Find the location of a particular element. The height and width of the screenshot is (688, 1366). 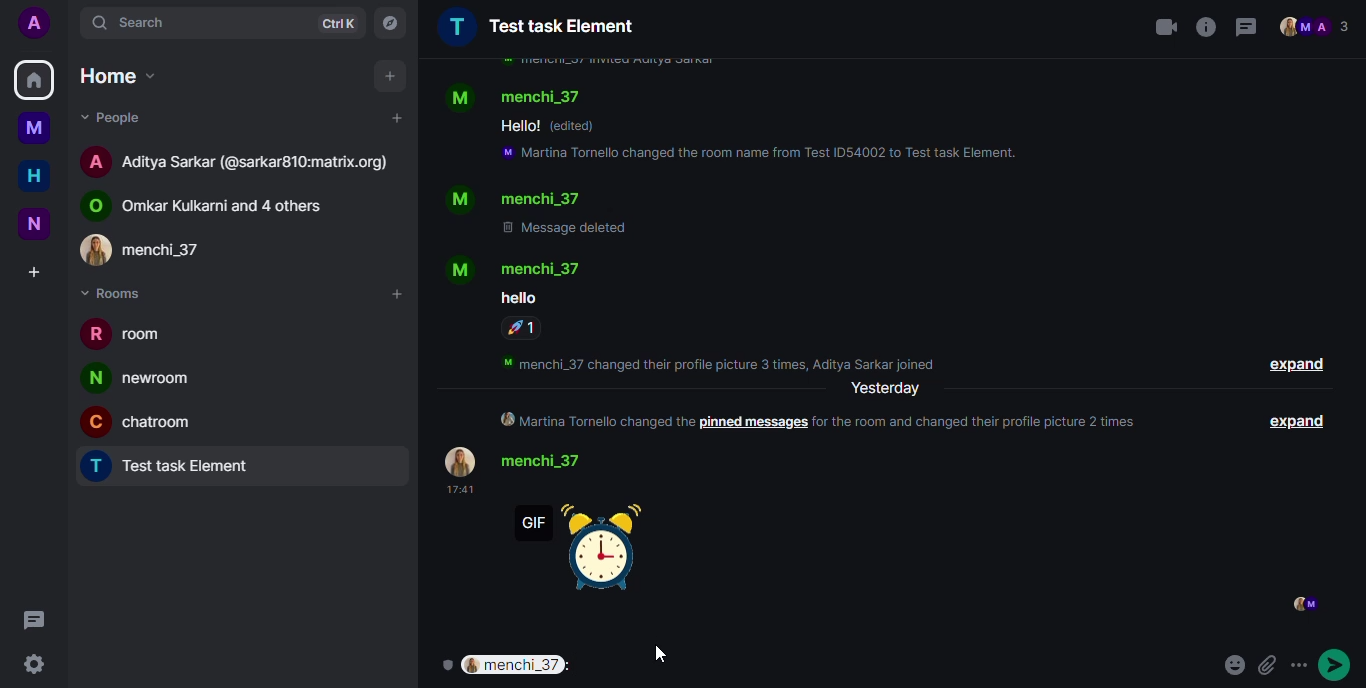

contact is located at coordinates (159, 248).